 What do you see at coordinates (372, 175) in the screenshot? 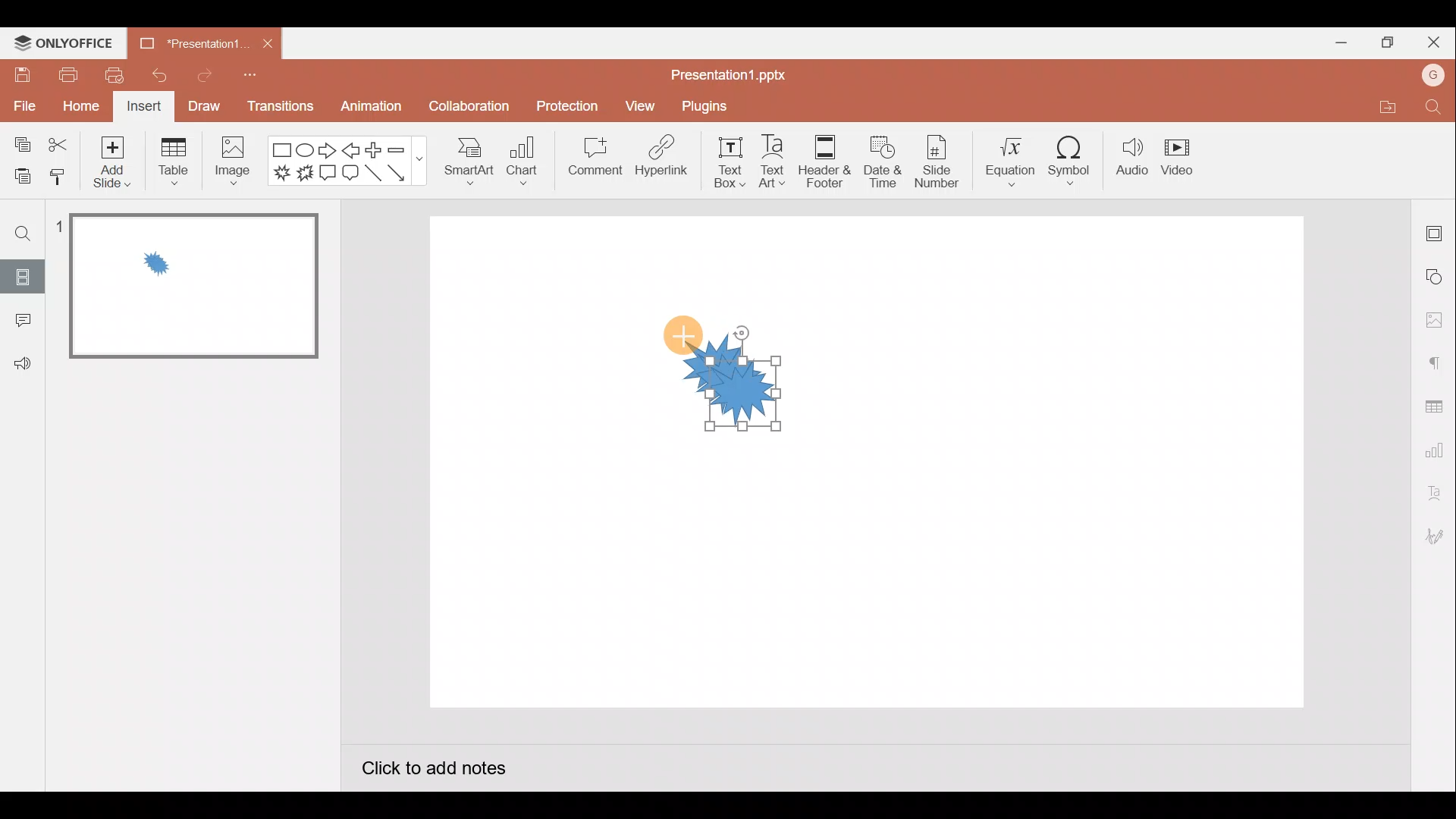
I see `Line` at bounding box center [372, 175].